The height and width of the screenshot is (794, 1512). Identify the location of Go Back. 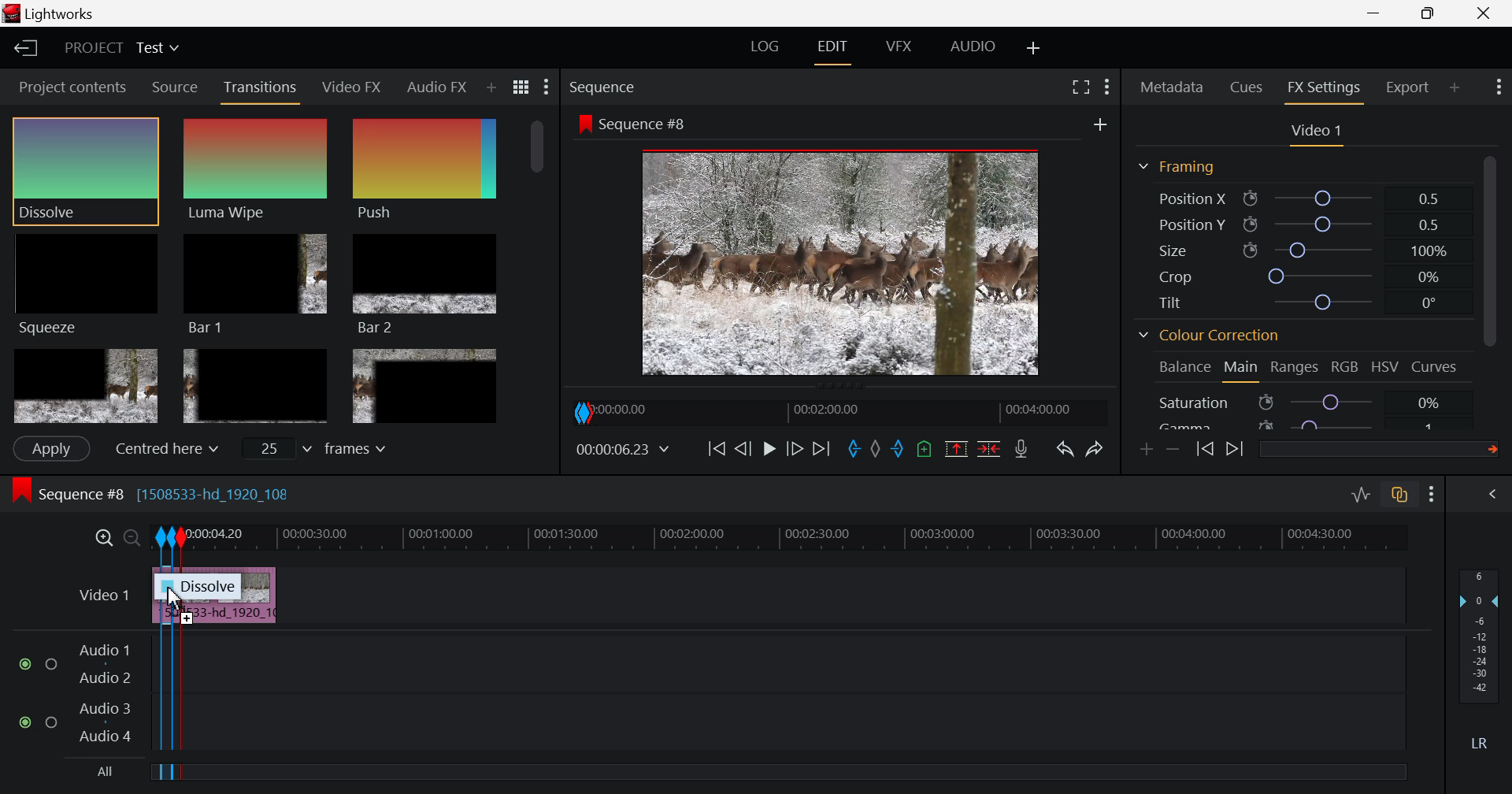
(743, 448).